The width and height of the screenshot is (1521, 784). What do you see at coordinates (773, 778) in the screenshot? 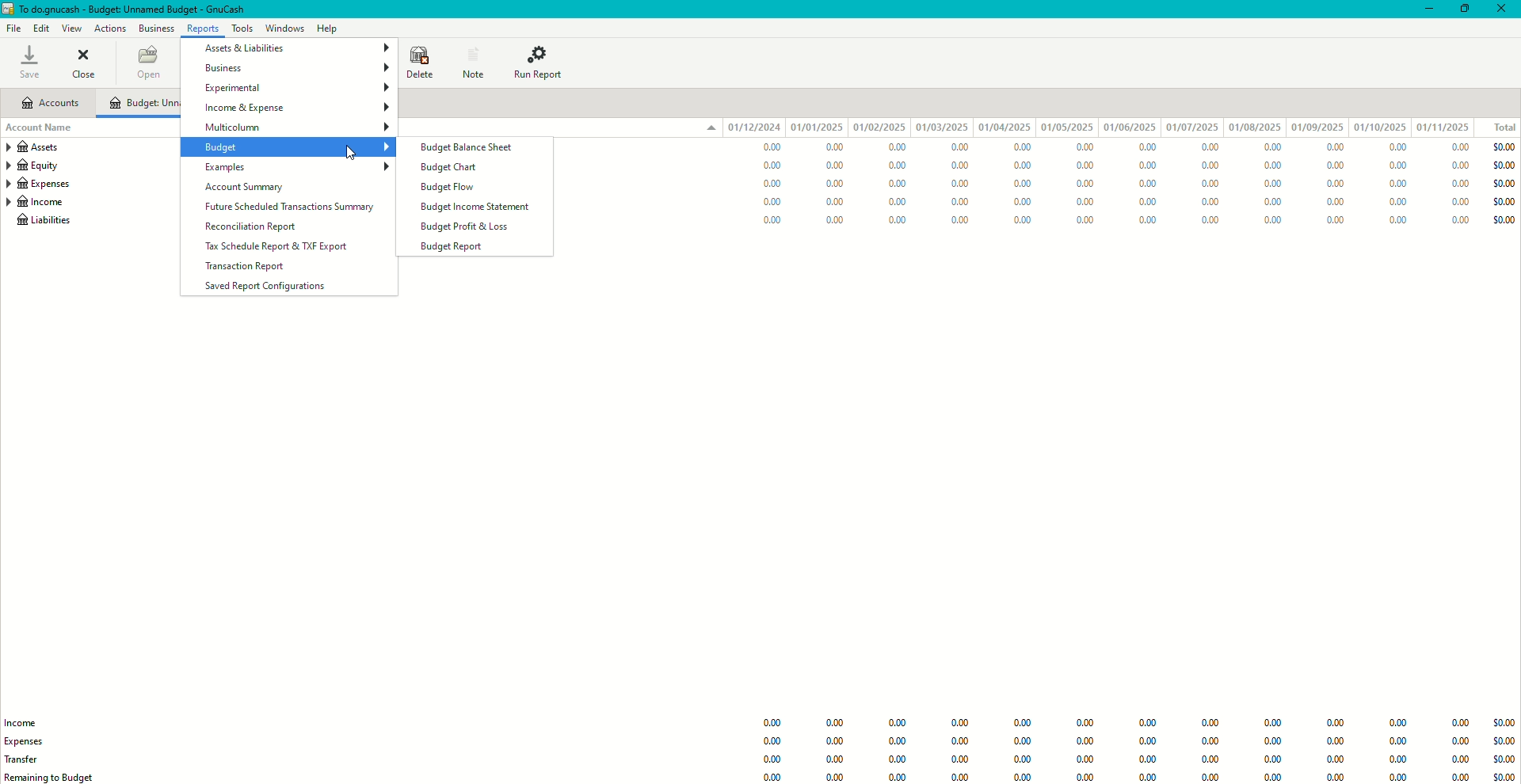
I see `0.00` at bounding box center [773, 778].